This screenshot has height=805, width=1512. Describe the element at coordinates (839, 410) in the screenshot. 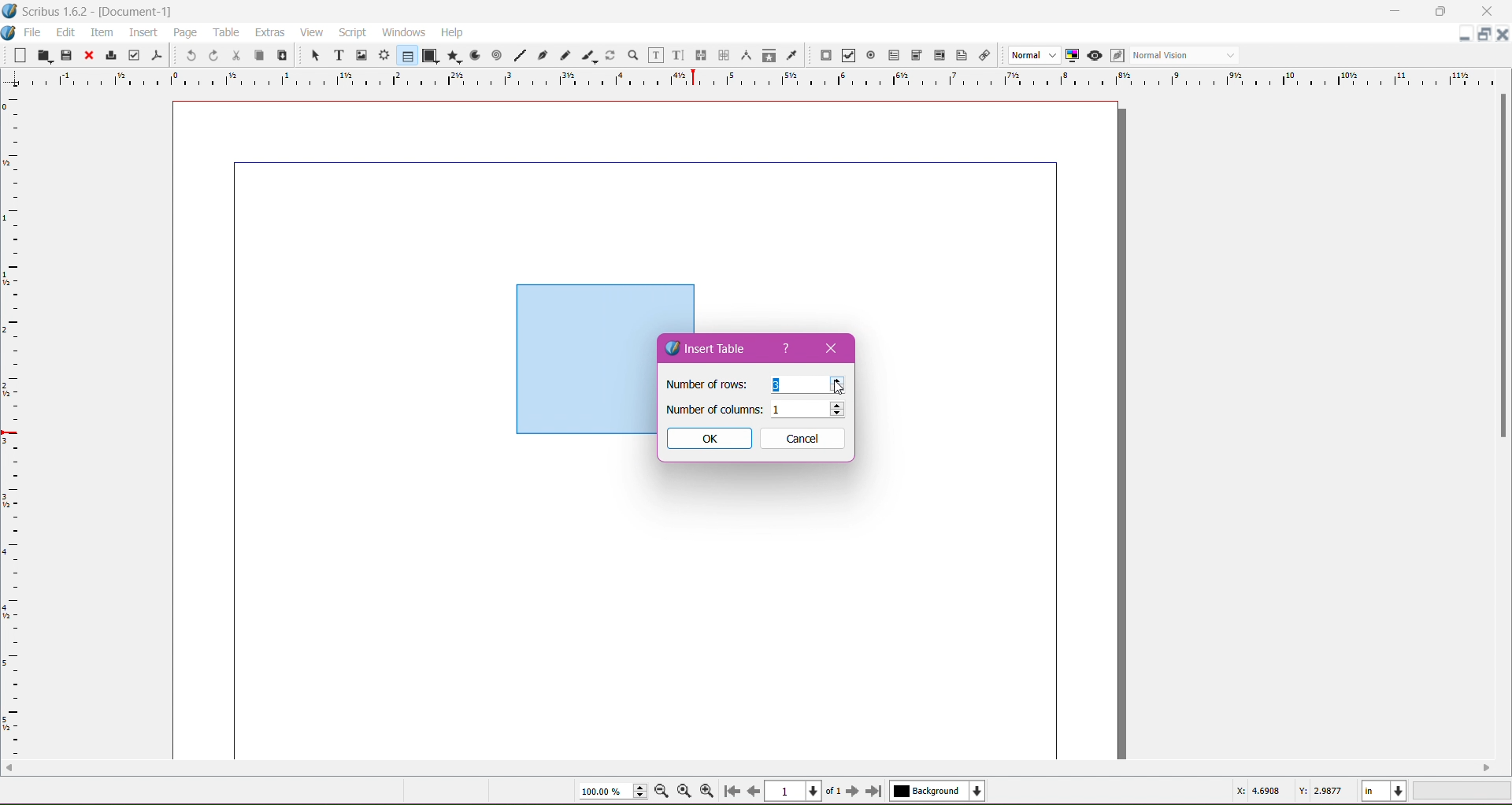

I see `up/down` at that location.